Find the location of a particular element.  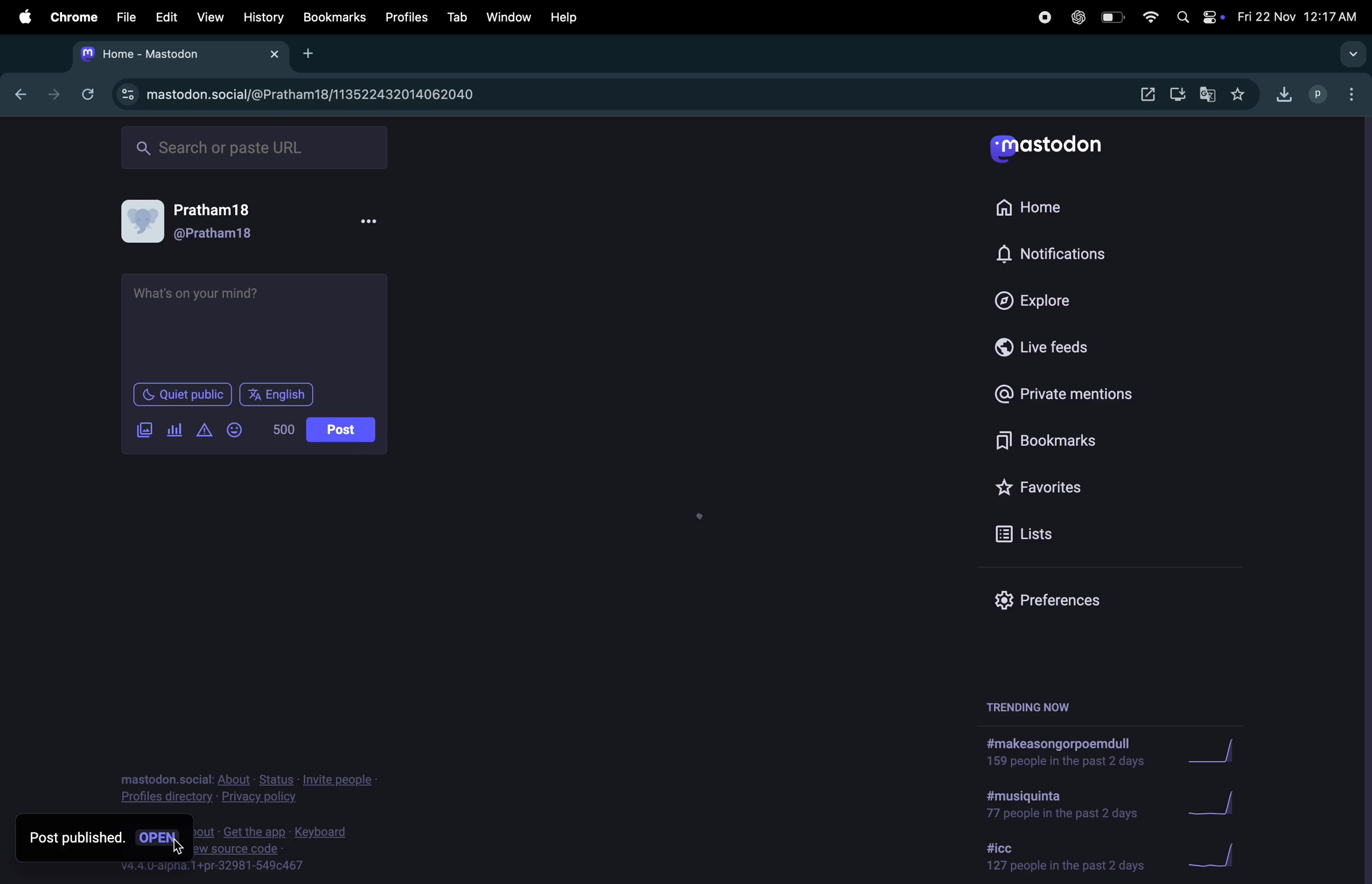

home is located at coordinates (1027, 207).